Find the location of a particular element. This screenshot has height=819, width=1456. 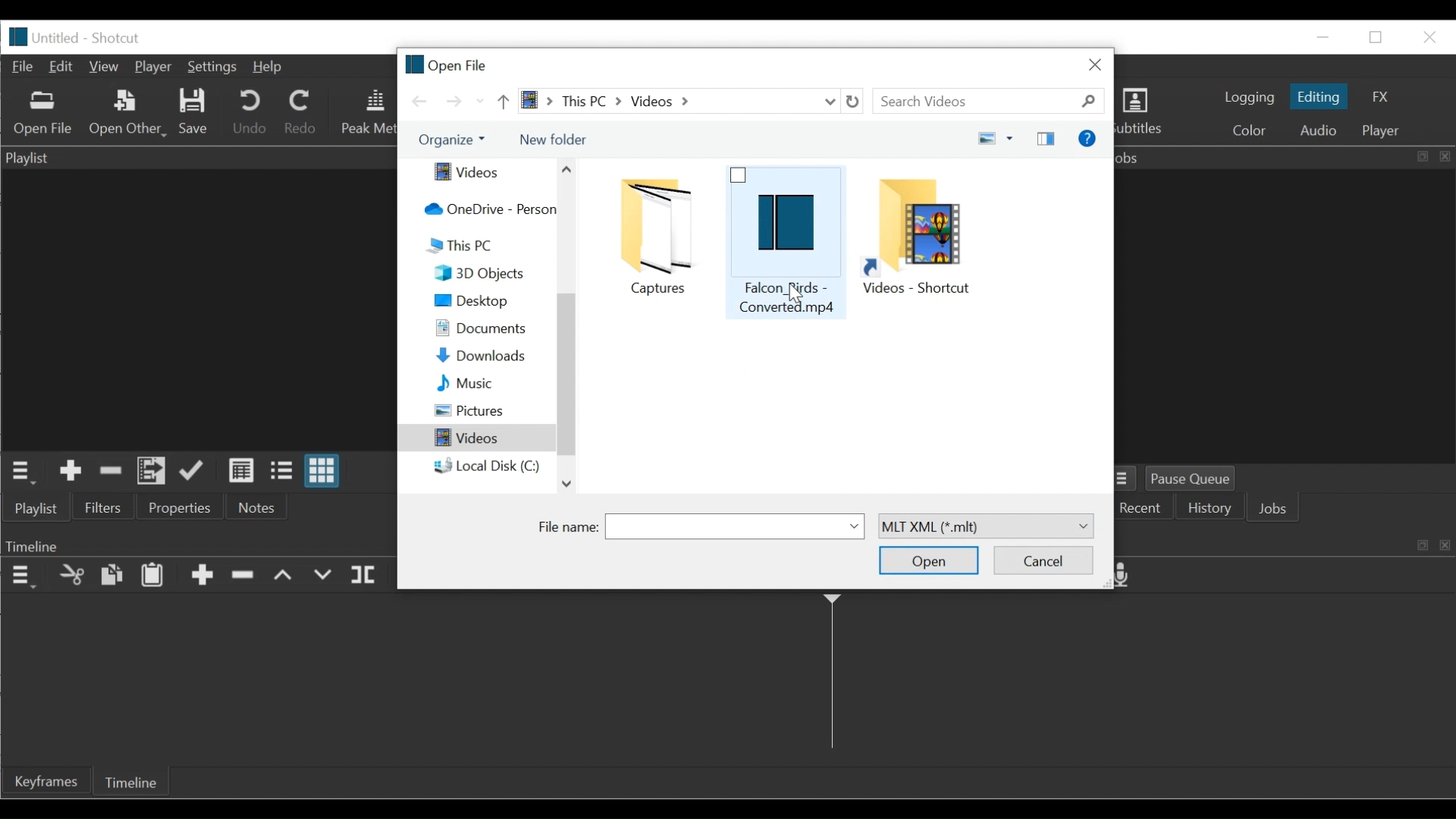

Remove cut is located at coordinates (108, 472).